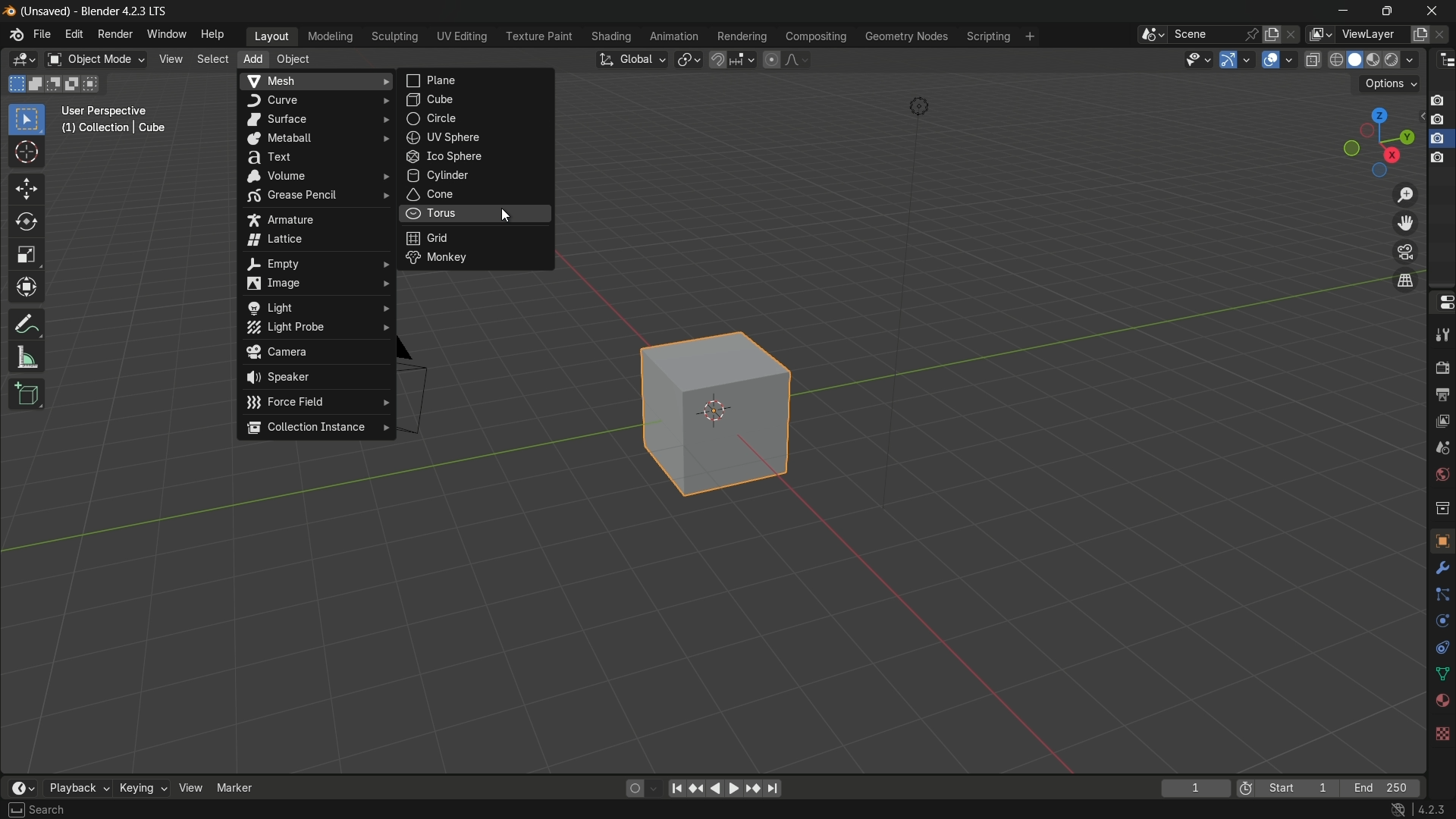 Image resolution: width=1456 pixels, height=819 pixels. What do you see at coordinates (169, 59) in the screenshot?
I see `view` at bounding box center [169, 59].